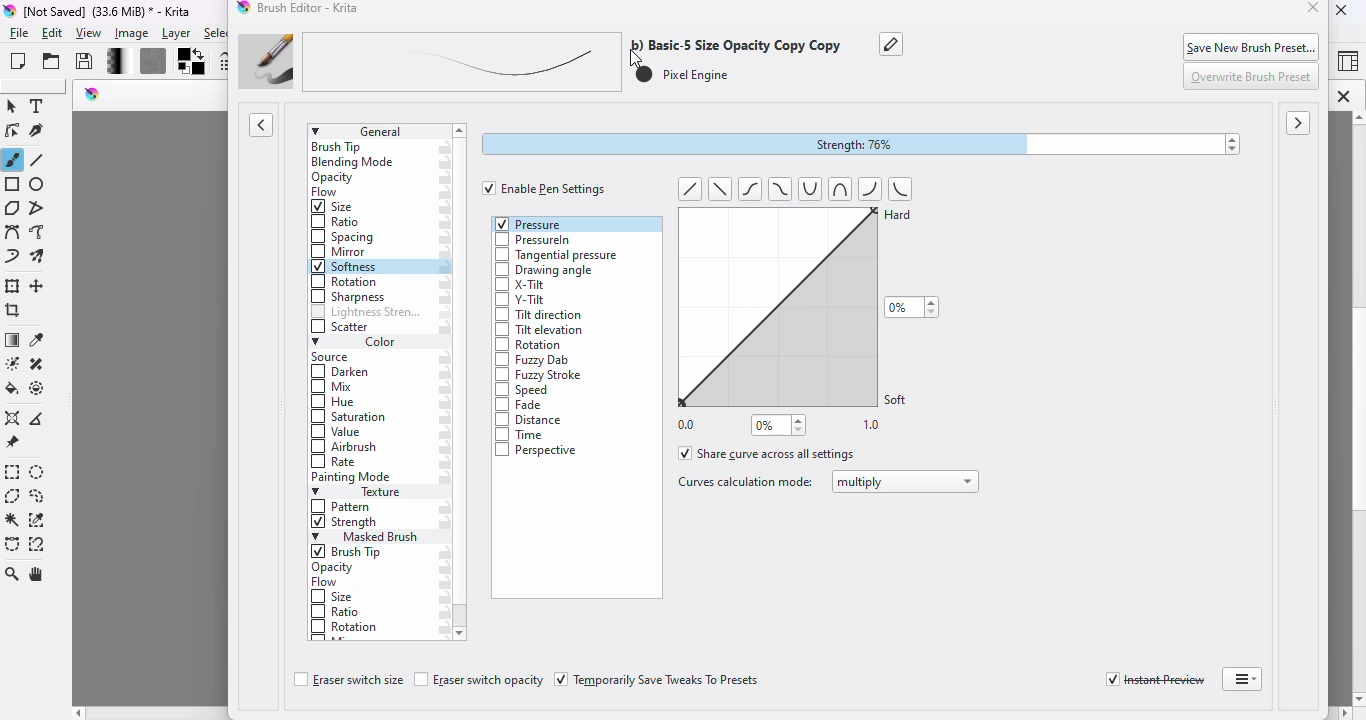 Image resolution: width=1366 pixels, height=720 pixels. Describe the element at coordinates (342, 373) in the screenshot. I see `darken` at that location.